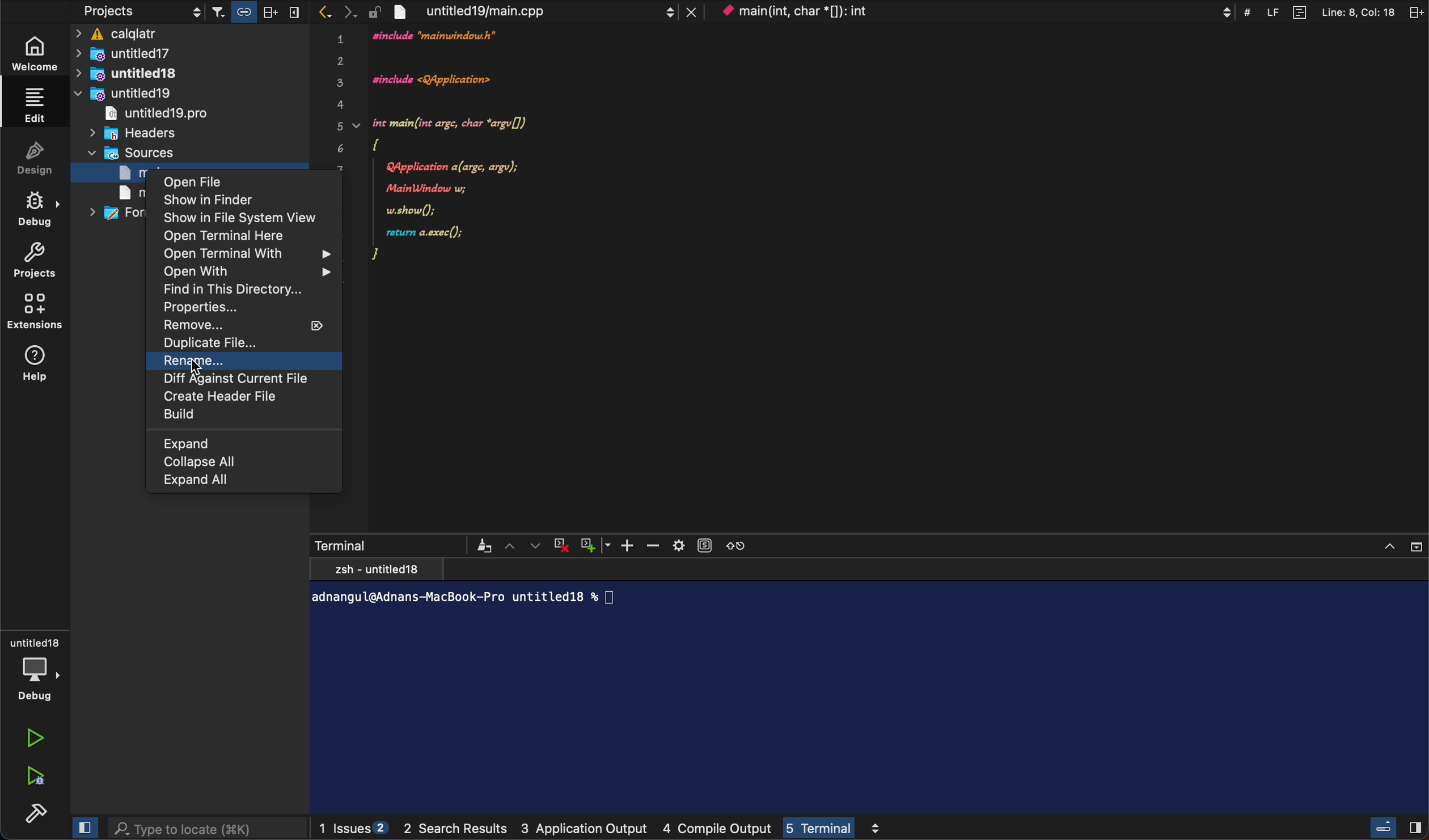 The width and height of the screenshot is (1429, 840). I want to click on open, so click(234, 237).